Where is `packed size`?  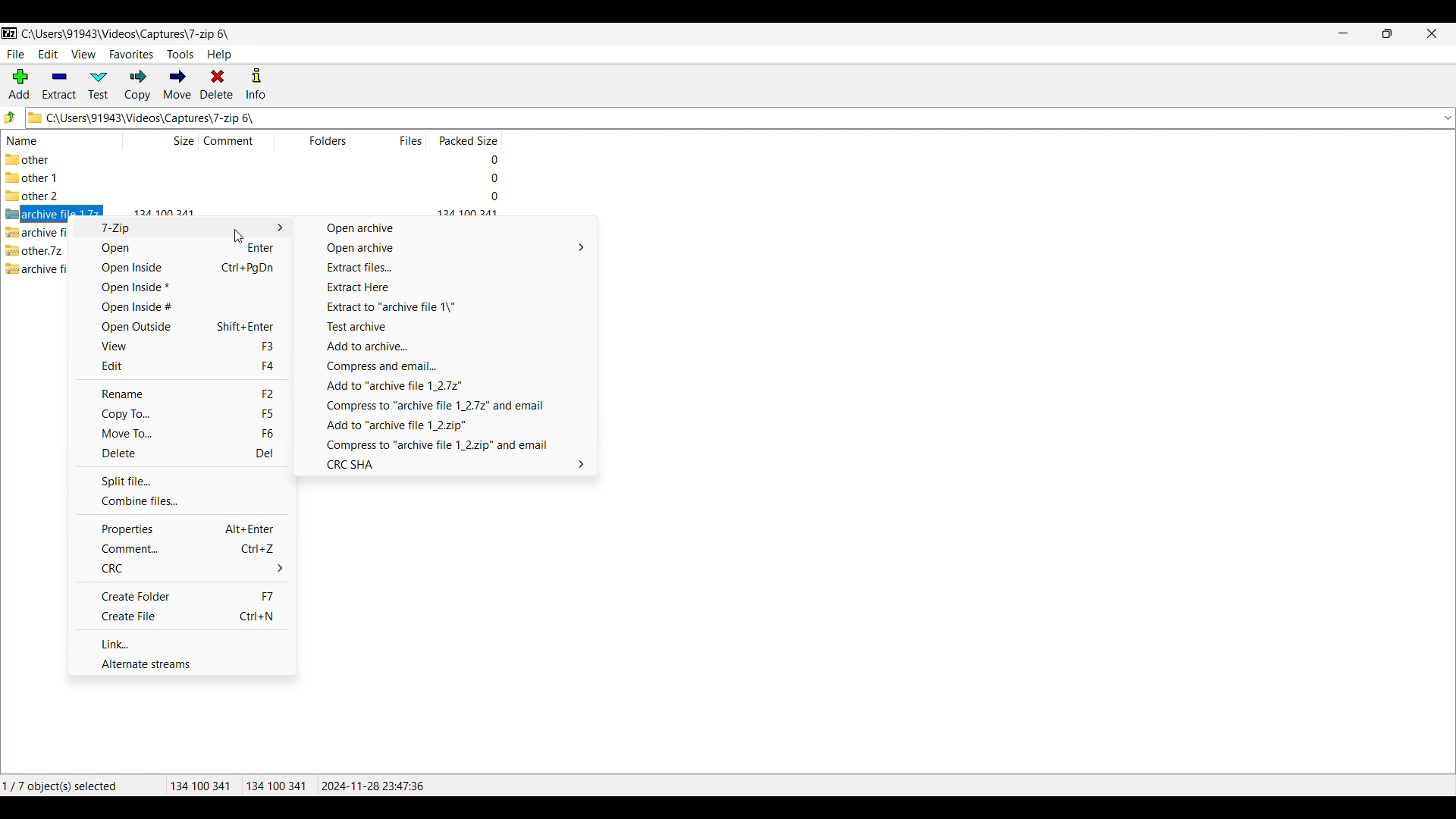 packed size is located at coordinates (488, 178).